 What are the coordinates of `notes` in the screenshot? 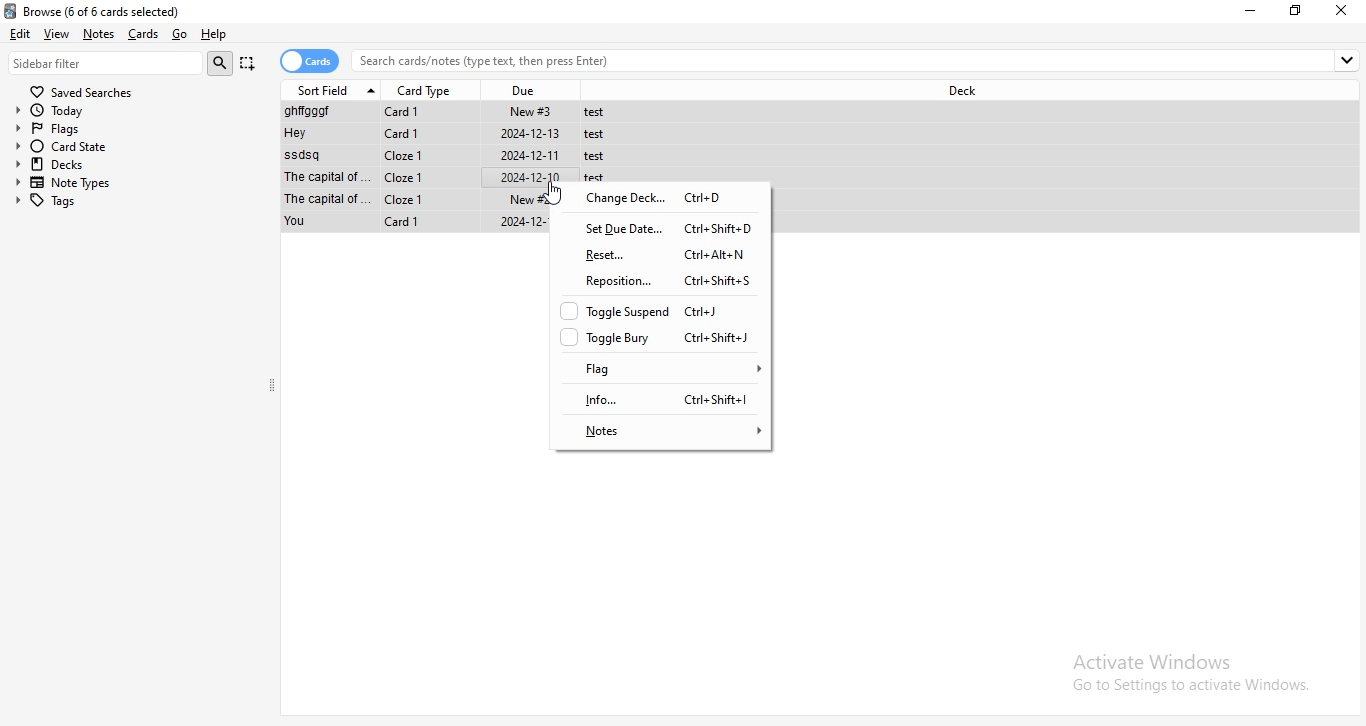 It's located at (663, 432).